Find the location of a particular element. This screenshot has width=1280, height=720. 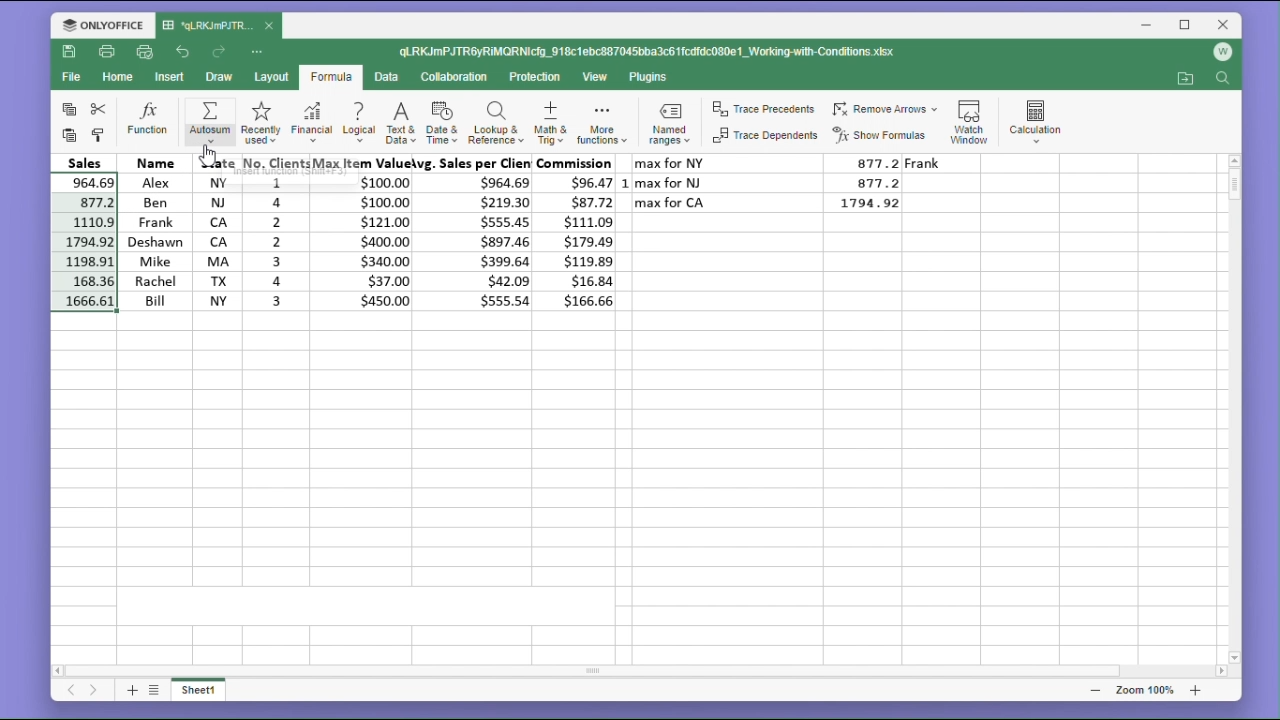

maximize is located at coordinates (1186, 24).